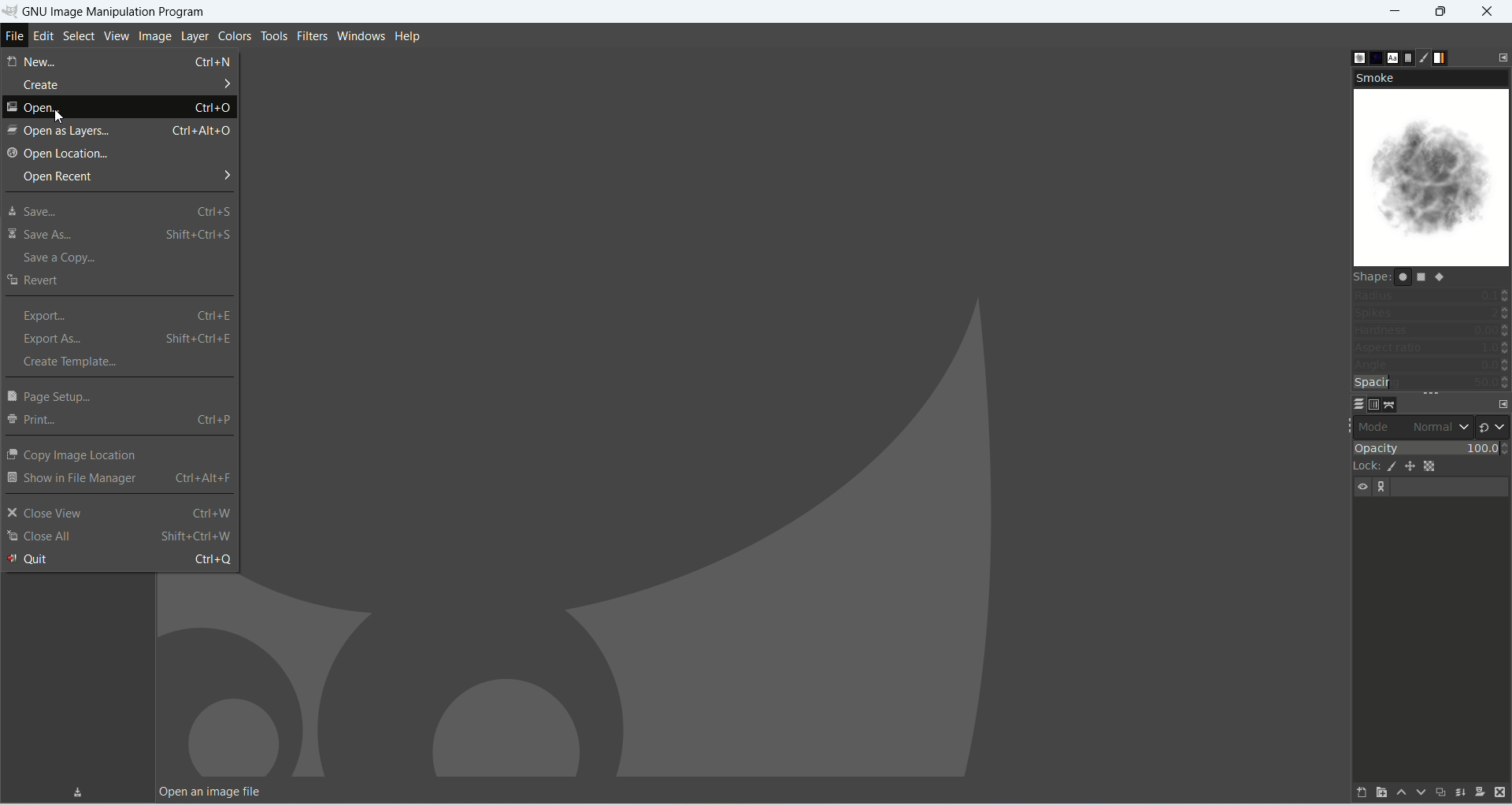 The width and height of the screenshot is (1512, 805). Describe the element at coordinates (212, 792) in the screenshot. I see `Open an image file` at that location.